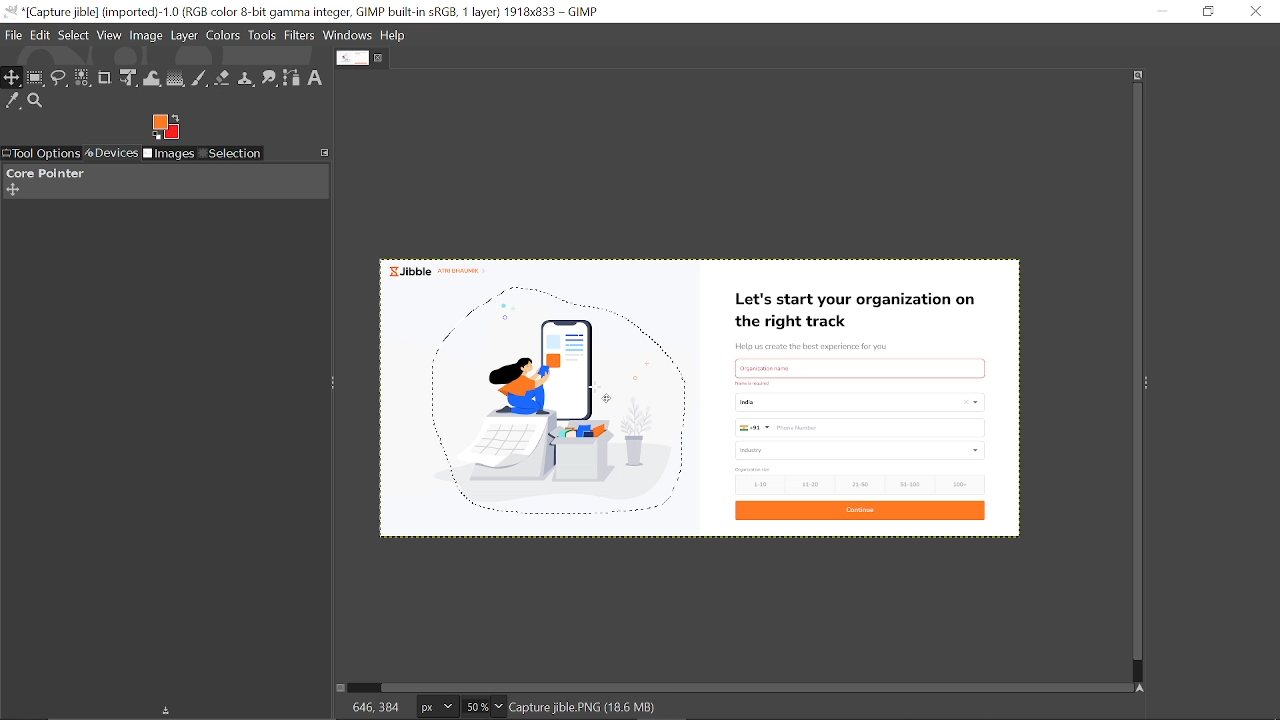 The width and height of the screenshot is (1280, 720). What do you see at coordinates (200, 80) in the screenshot?
I see `Paintbrush tool` at bounding box center [200, 80].